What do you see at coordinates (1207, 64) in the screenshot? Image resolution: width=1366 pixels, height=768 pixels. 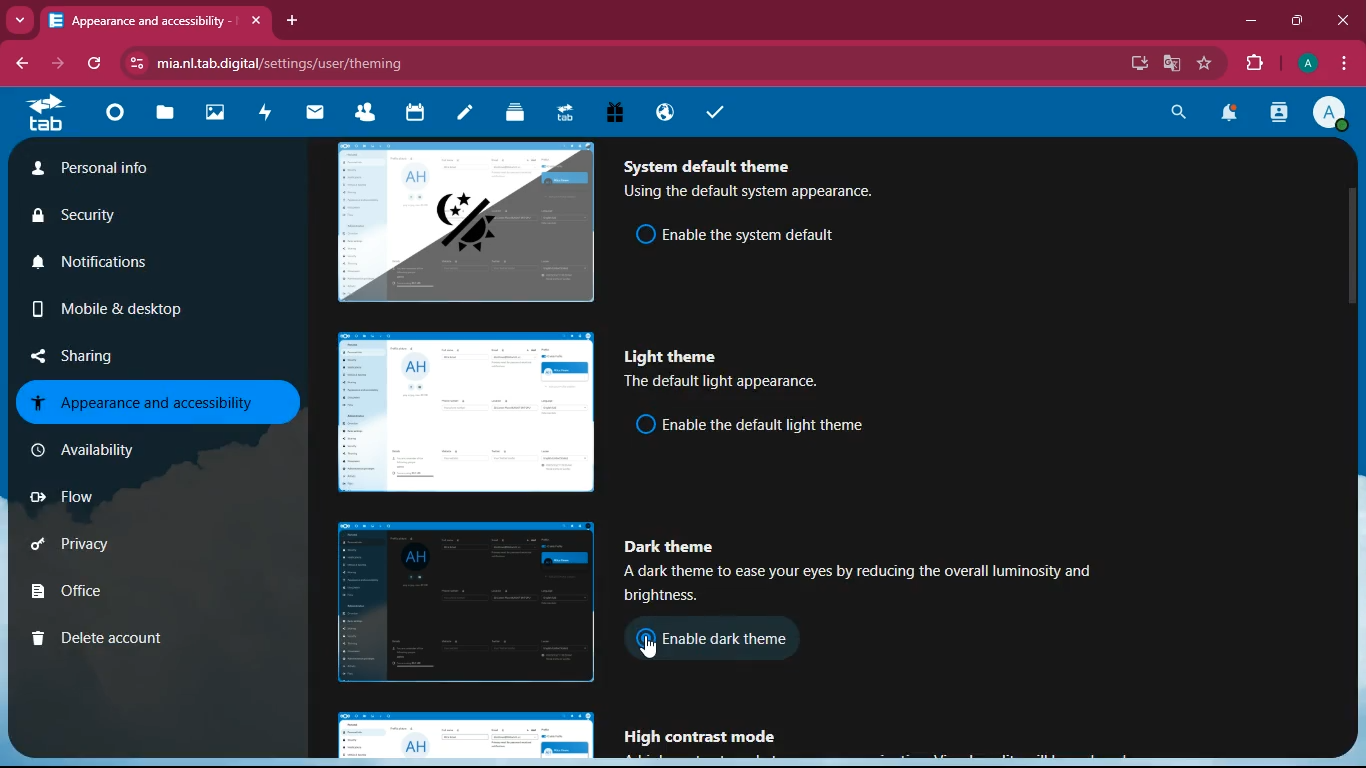 I see `favourite` at bounding box center [1207, 64].